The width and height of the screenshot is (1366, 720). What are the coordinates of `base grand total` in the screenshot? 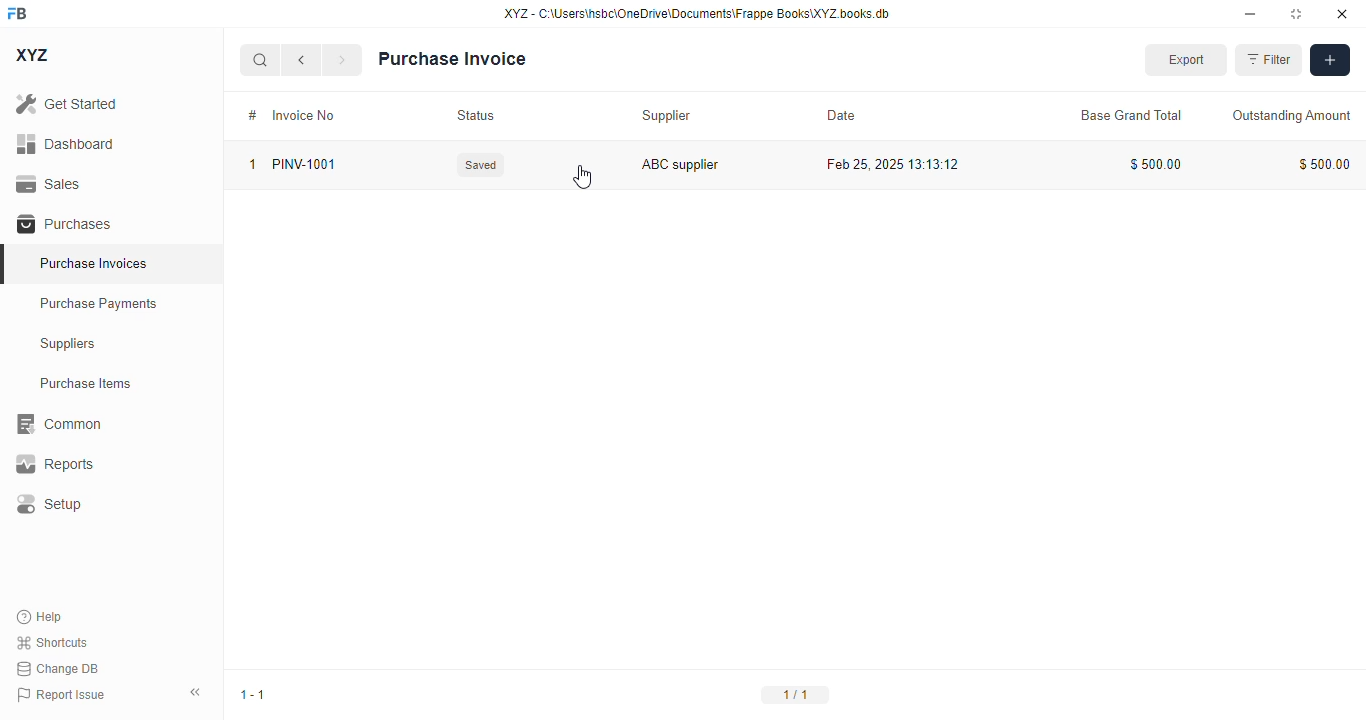 It's located at (1131, 114).